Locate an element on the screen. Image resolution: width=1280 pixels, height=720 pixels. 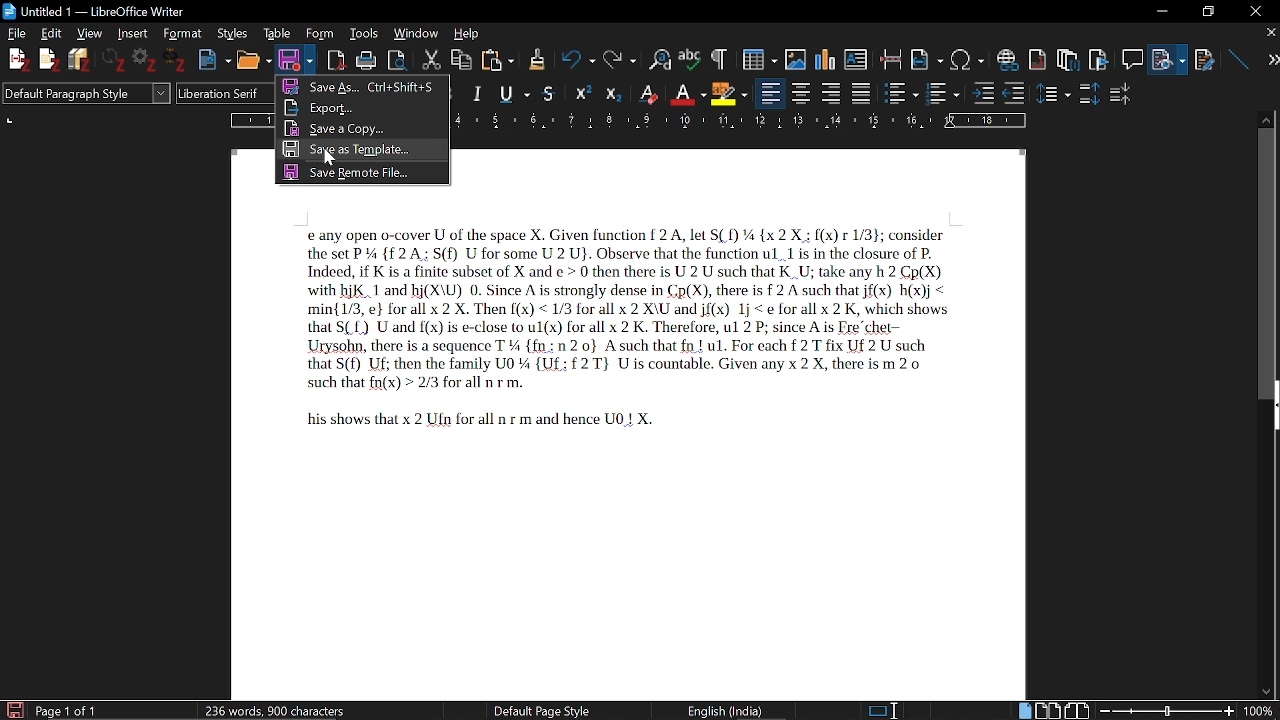
Table is located at coordinates (277, 33).